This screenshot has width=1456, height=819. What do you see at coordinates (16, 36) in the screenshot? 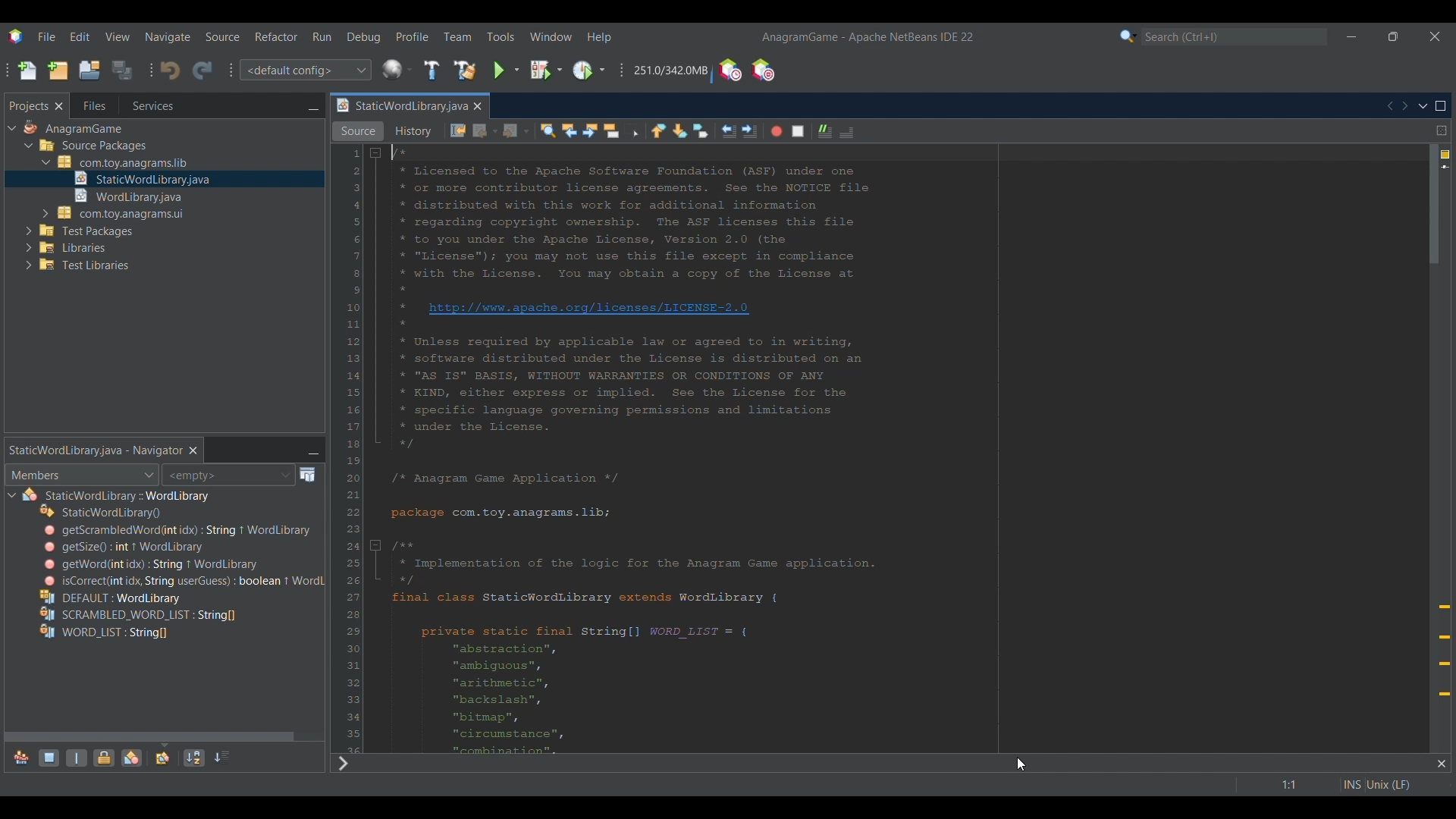
I see `Software logo` at bounding box center [16, 36].